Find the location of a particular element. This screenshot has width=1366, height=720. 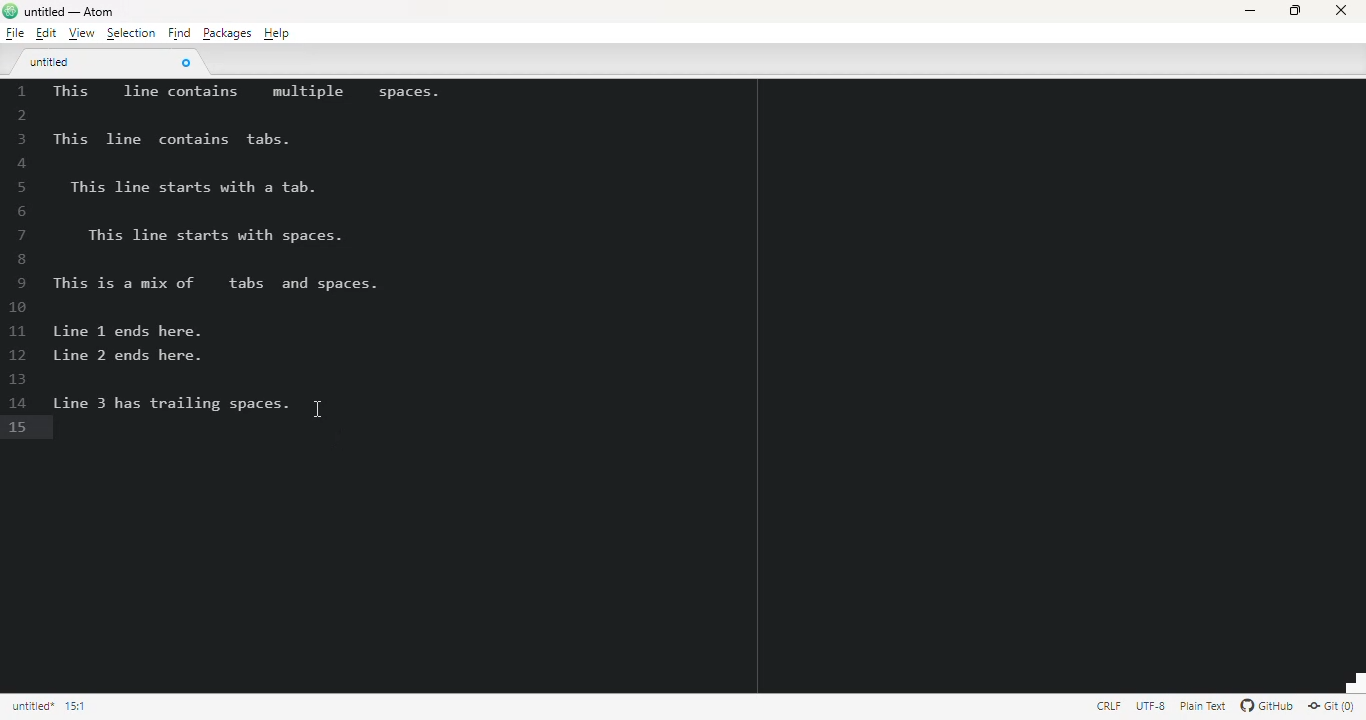

file uses CRLF file endings is located at coordinates (1109, 705).